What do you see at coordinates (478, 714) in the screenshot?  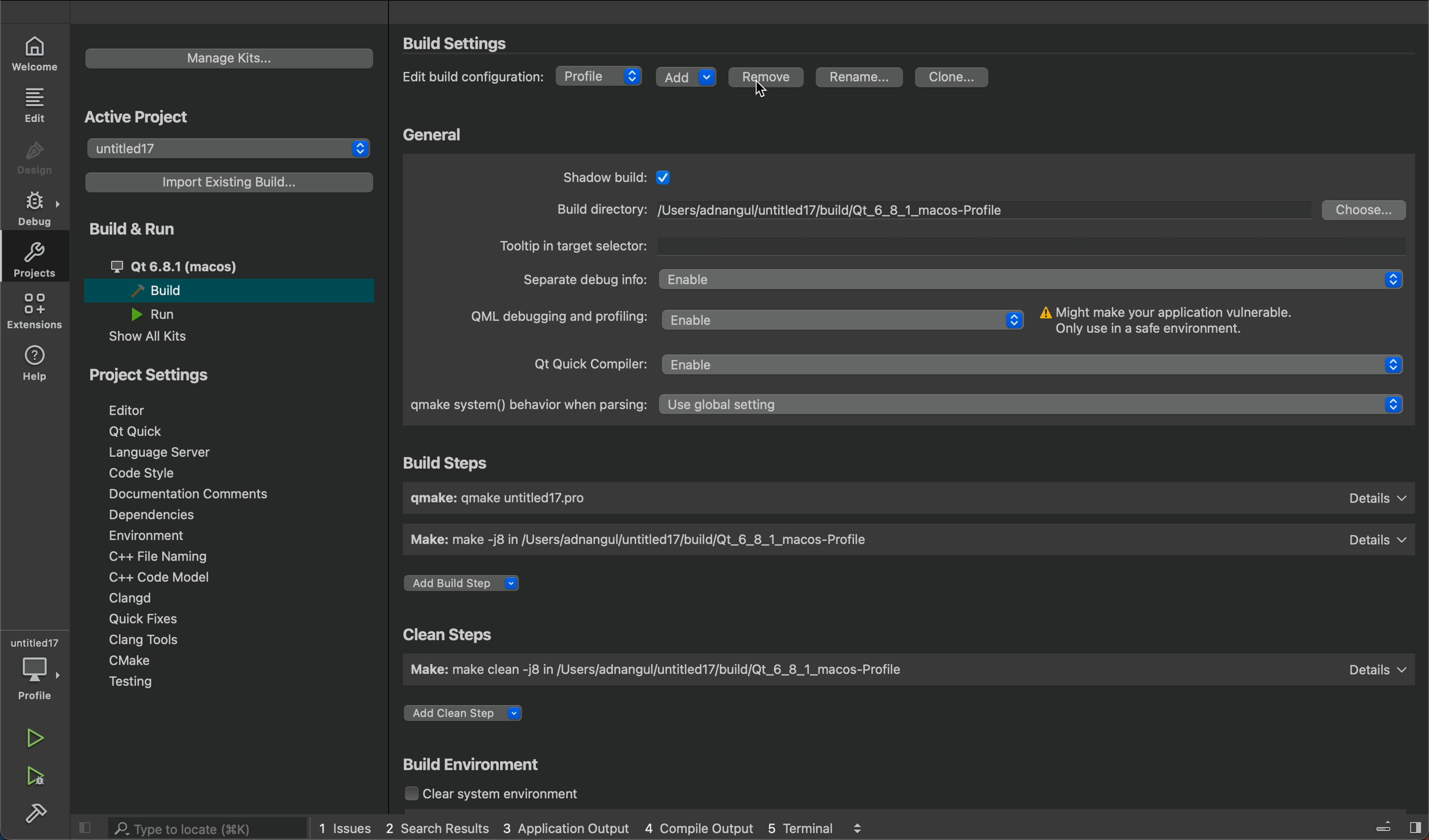 I see `add a step` at bounding box center [478, 714].